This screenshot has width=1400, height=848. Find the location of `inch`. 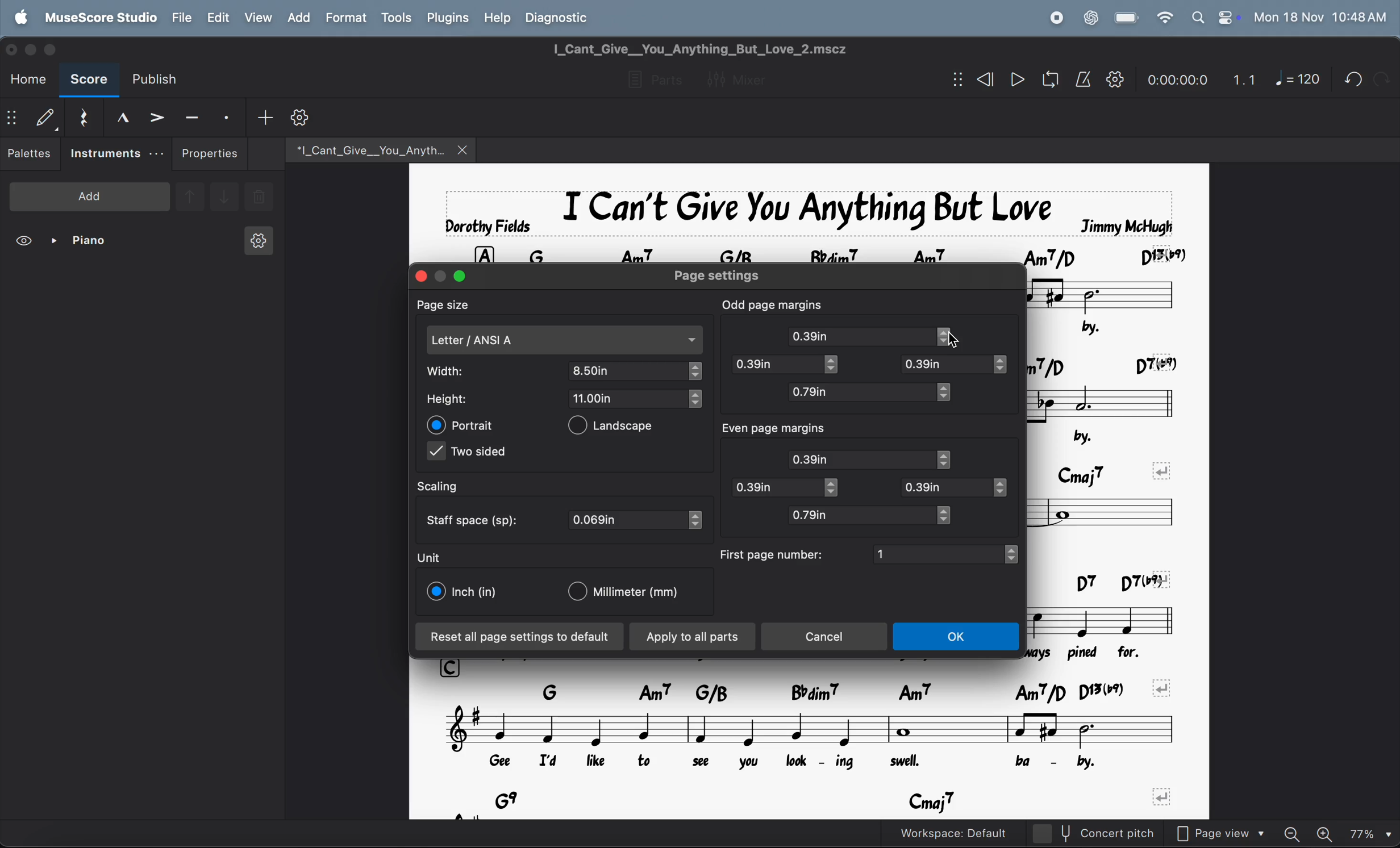

inch is located at coordinates (464, 592).